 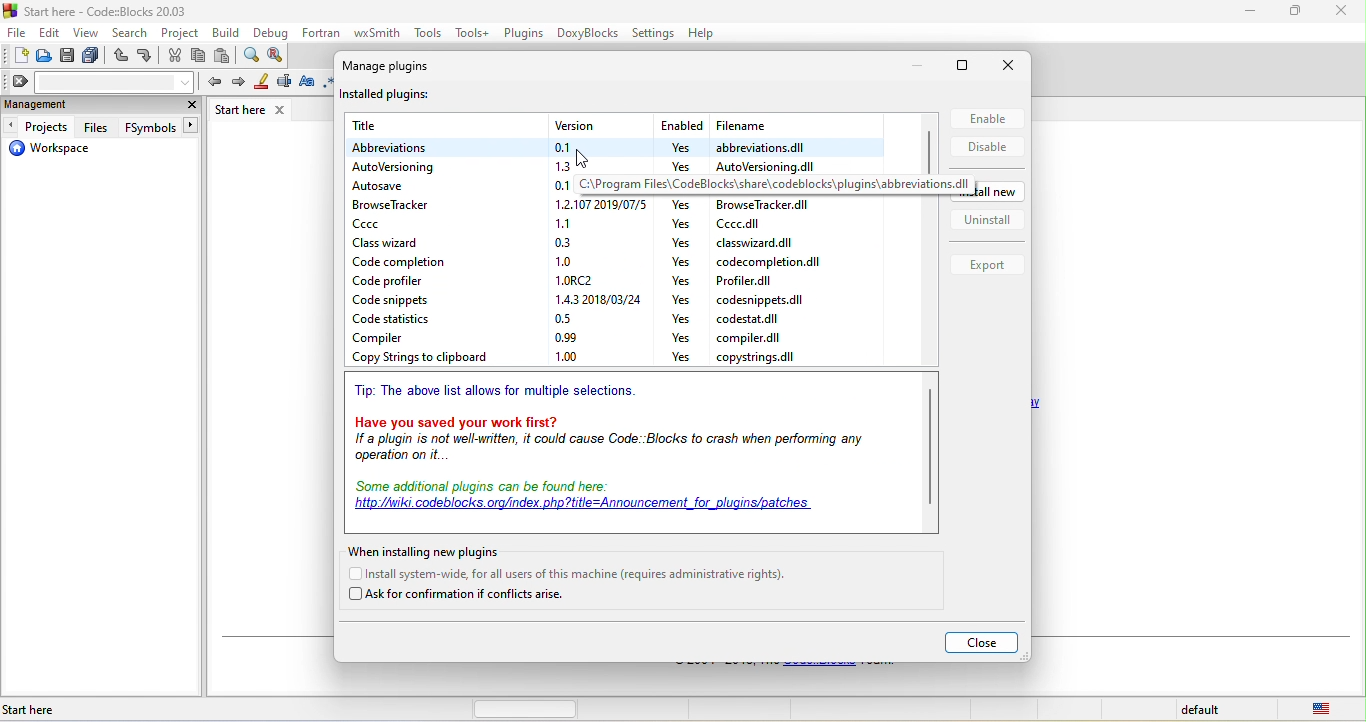 What do you see at coordinates (510, 390) in the screenshot?
I see `tip: the above list allows for multiple selections` at bounding box center [510, 390].